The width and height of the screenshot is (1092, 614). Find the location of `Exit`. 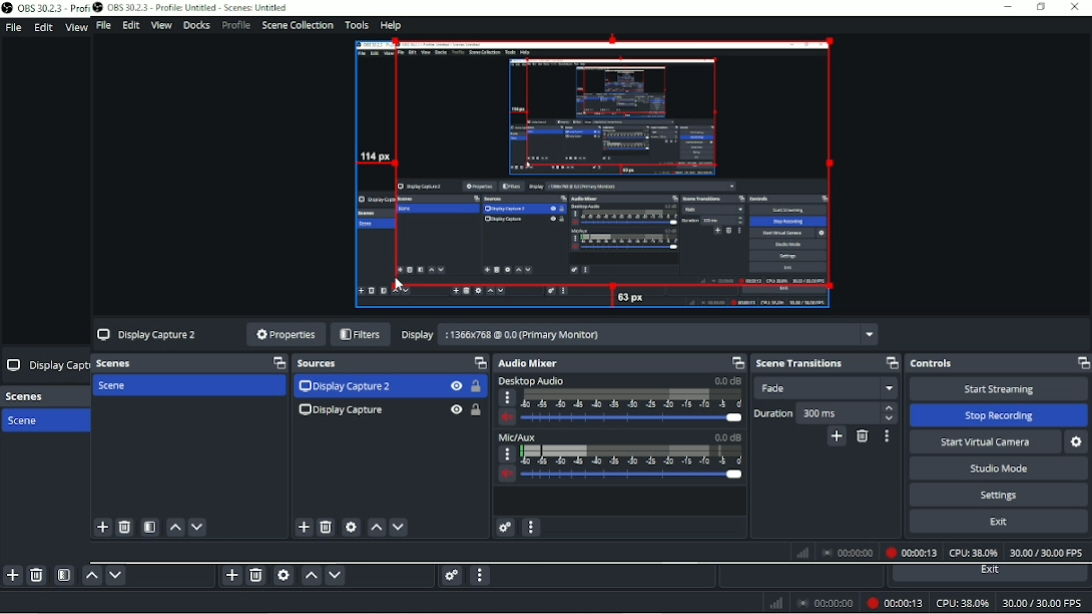

Exit is located at coordinates (990, 572).